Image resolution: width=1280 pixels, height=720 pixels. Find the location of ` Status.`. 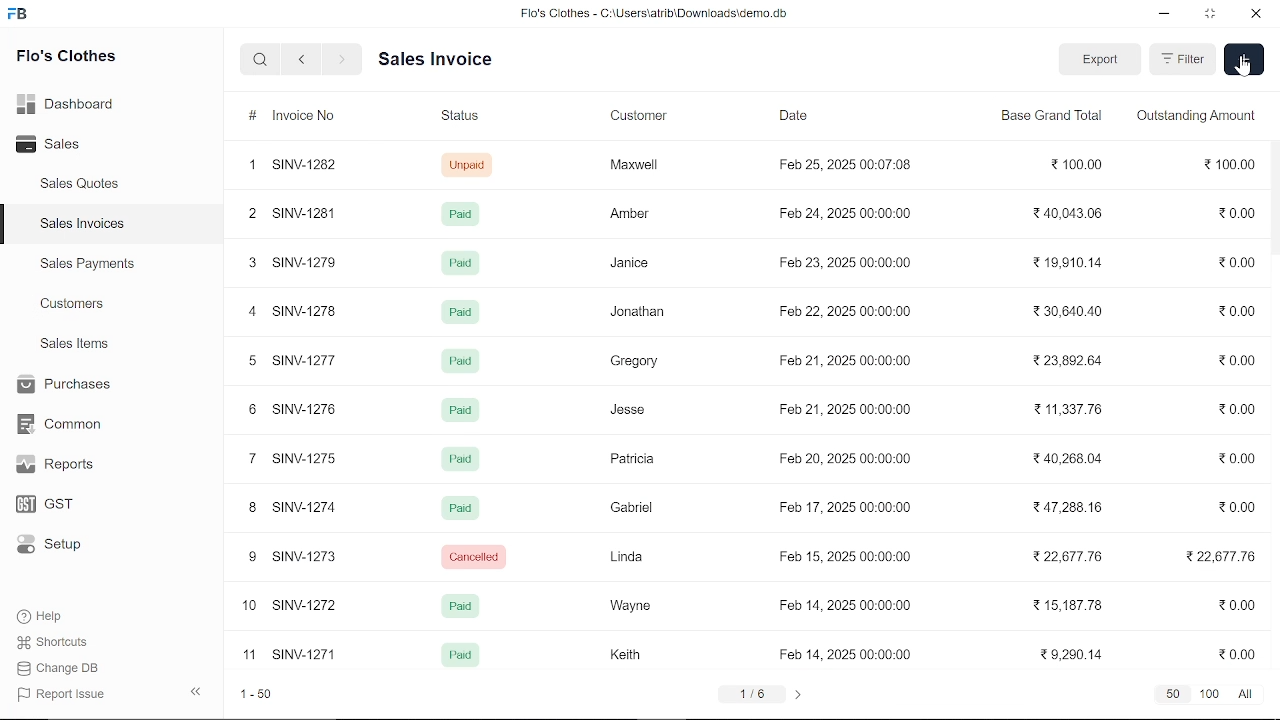

 Status. is located at coordinates (459, 119).